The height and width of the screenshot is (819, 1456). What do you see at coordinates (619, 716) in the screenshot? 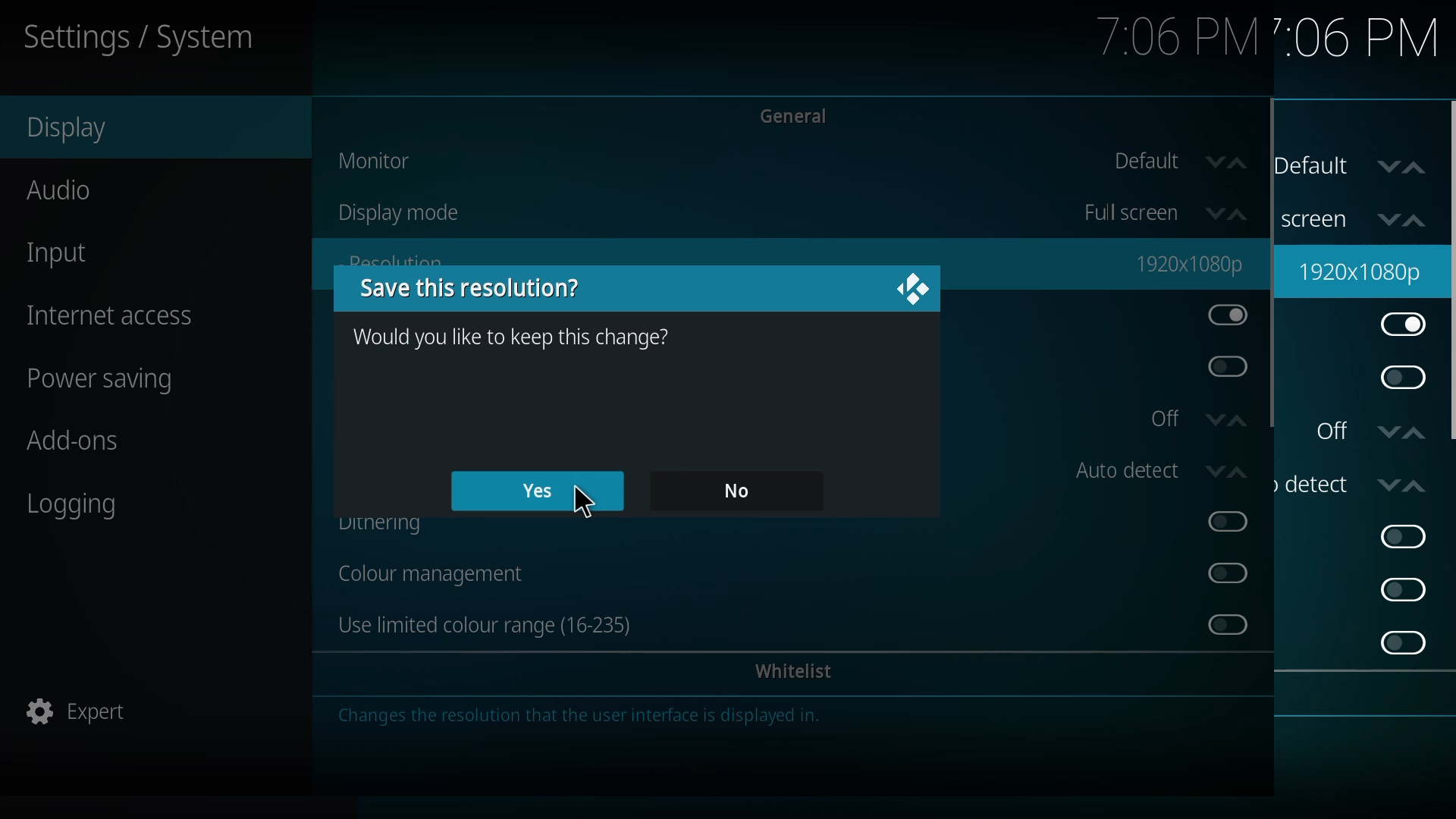
I see `info` at bounding box center [619, 716].